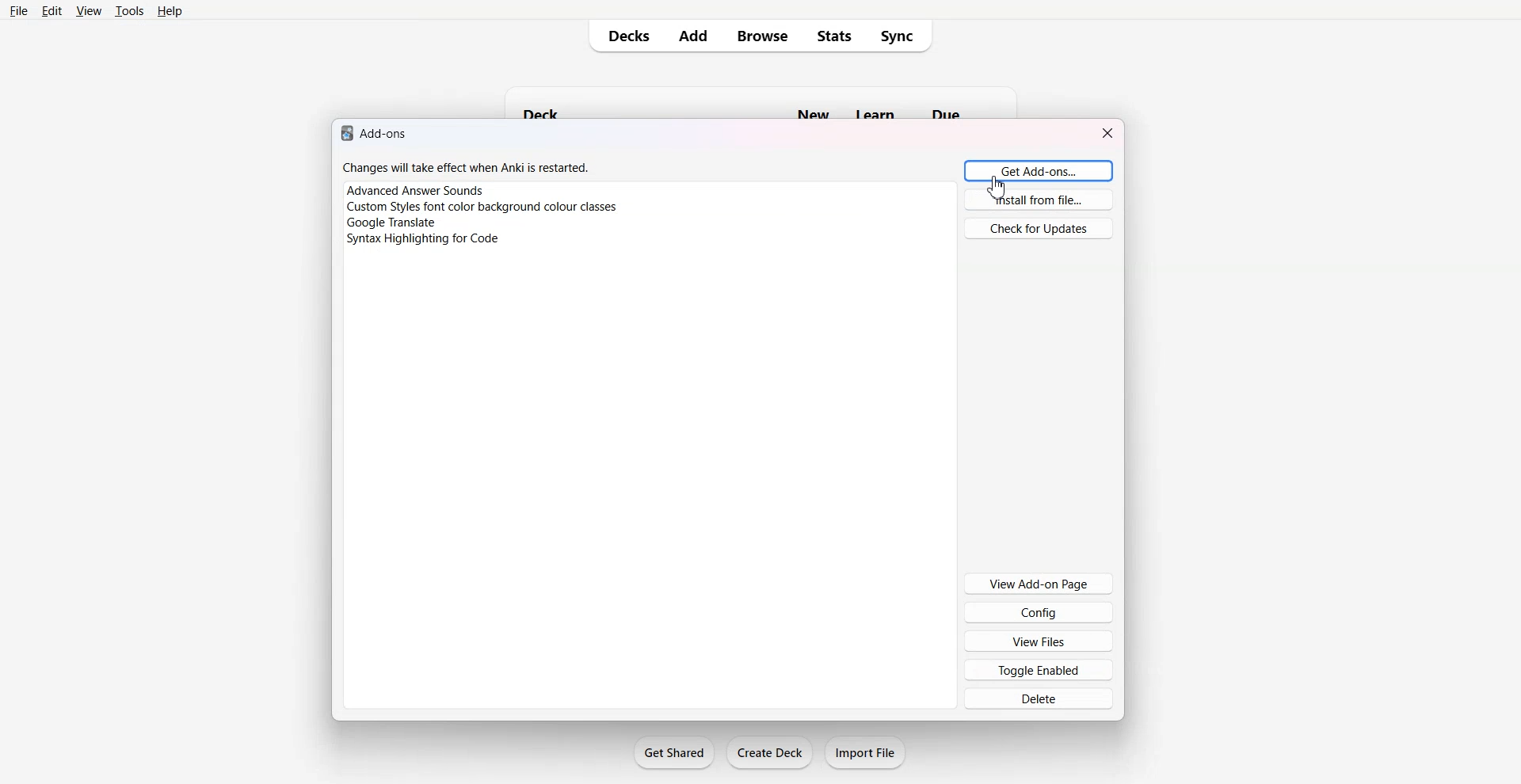 The height and width of the screenshot is (784, 1521). Describe the element at coordinates (51, 11) in the screenshot. I see `Edit` at that location.